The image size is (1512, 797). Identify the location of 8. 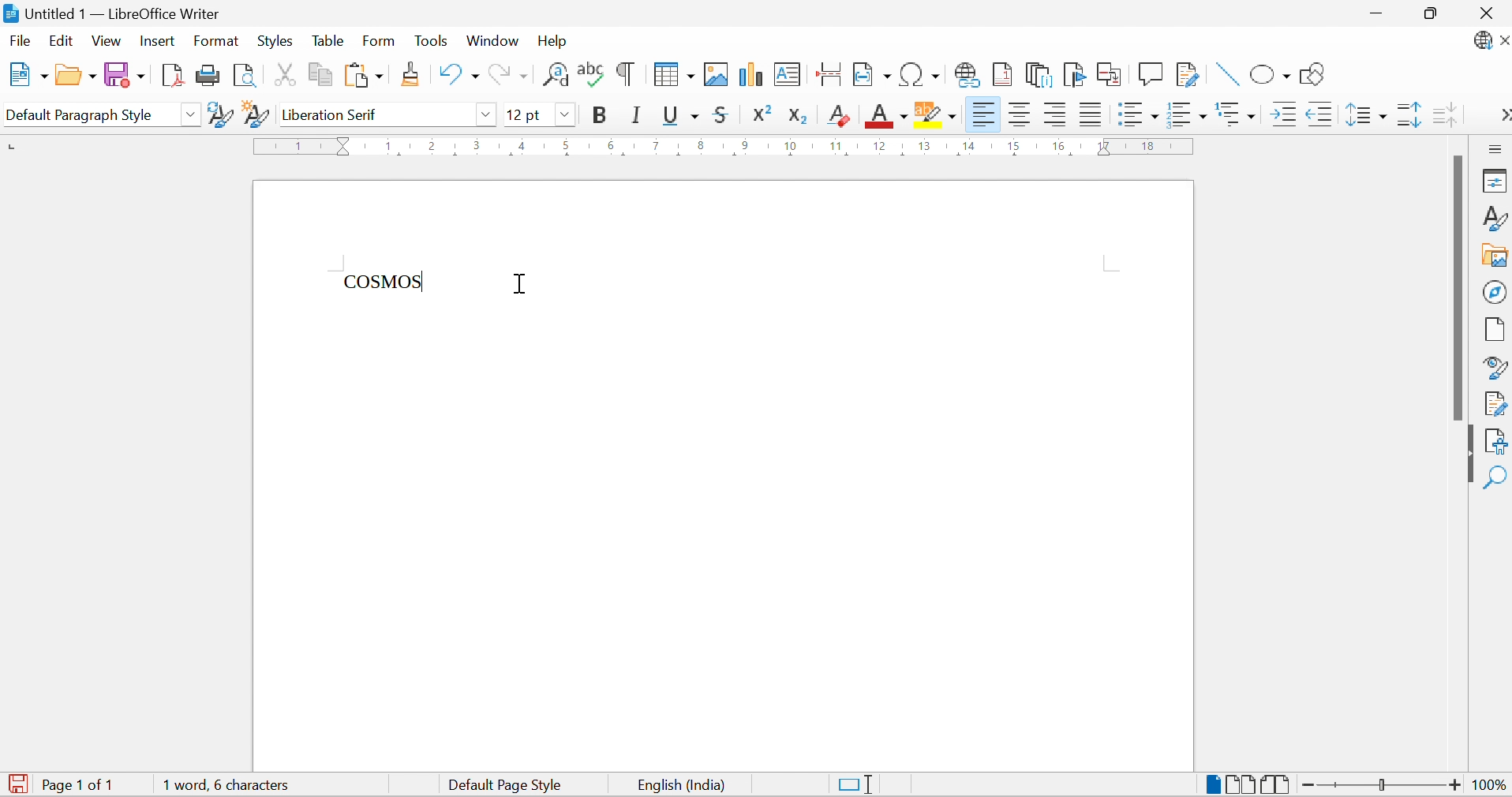
(701, 147).